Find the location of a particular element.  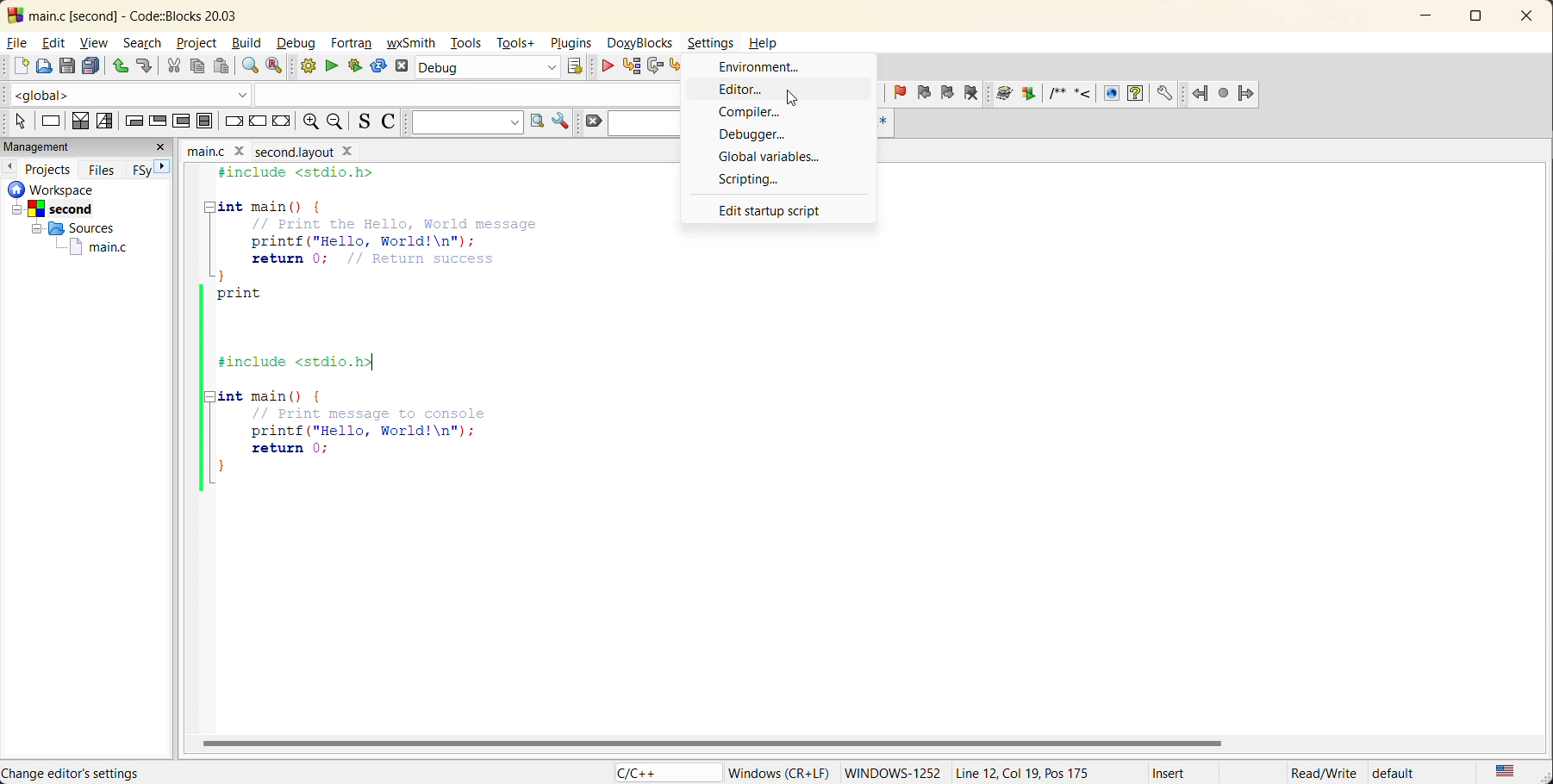

show options window is located at coordinates (561, 122).